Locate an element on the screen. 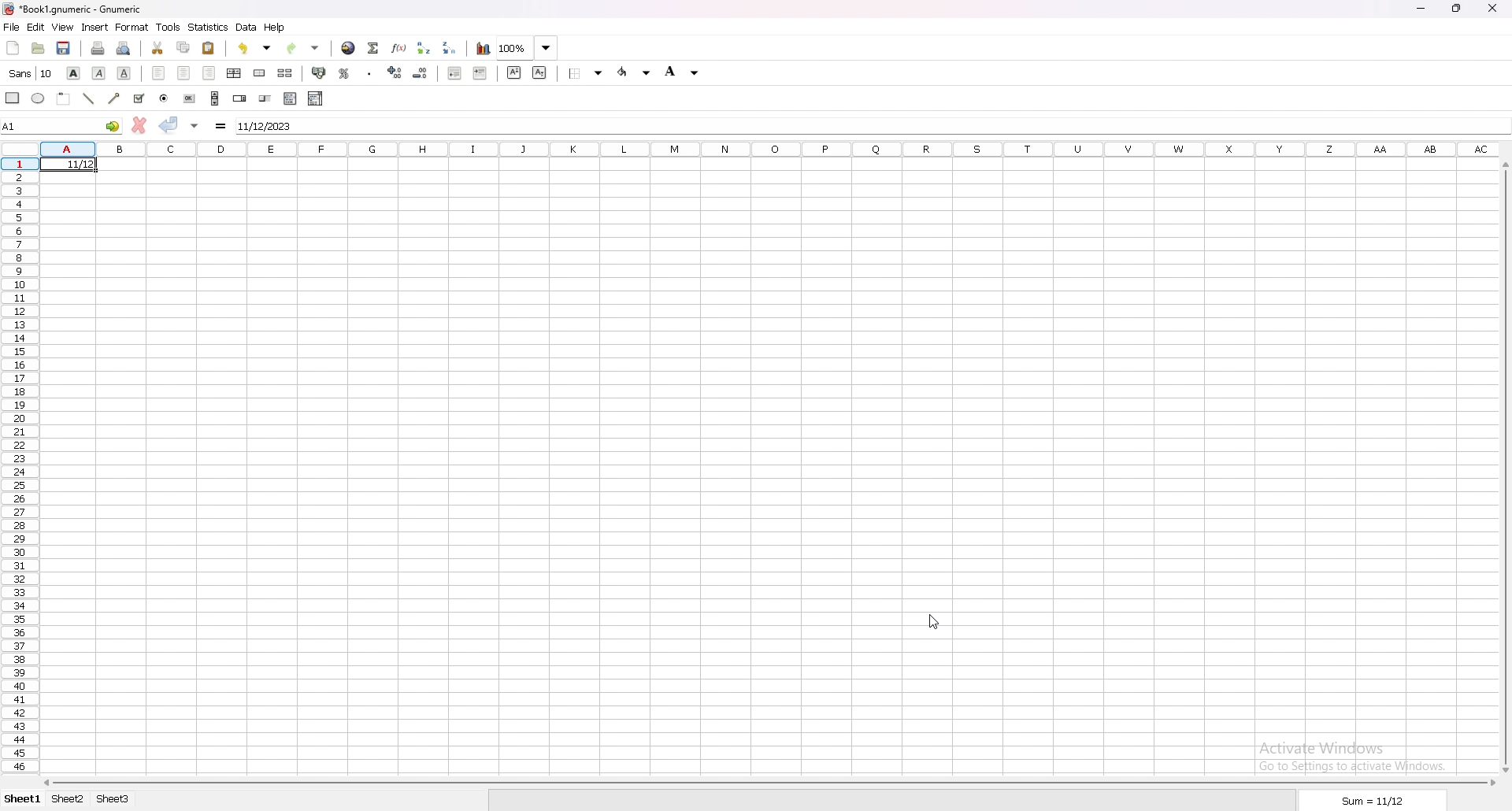  sheet 3 is located at coordinates (113, 799).